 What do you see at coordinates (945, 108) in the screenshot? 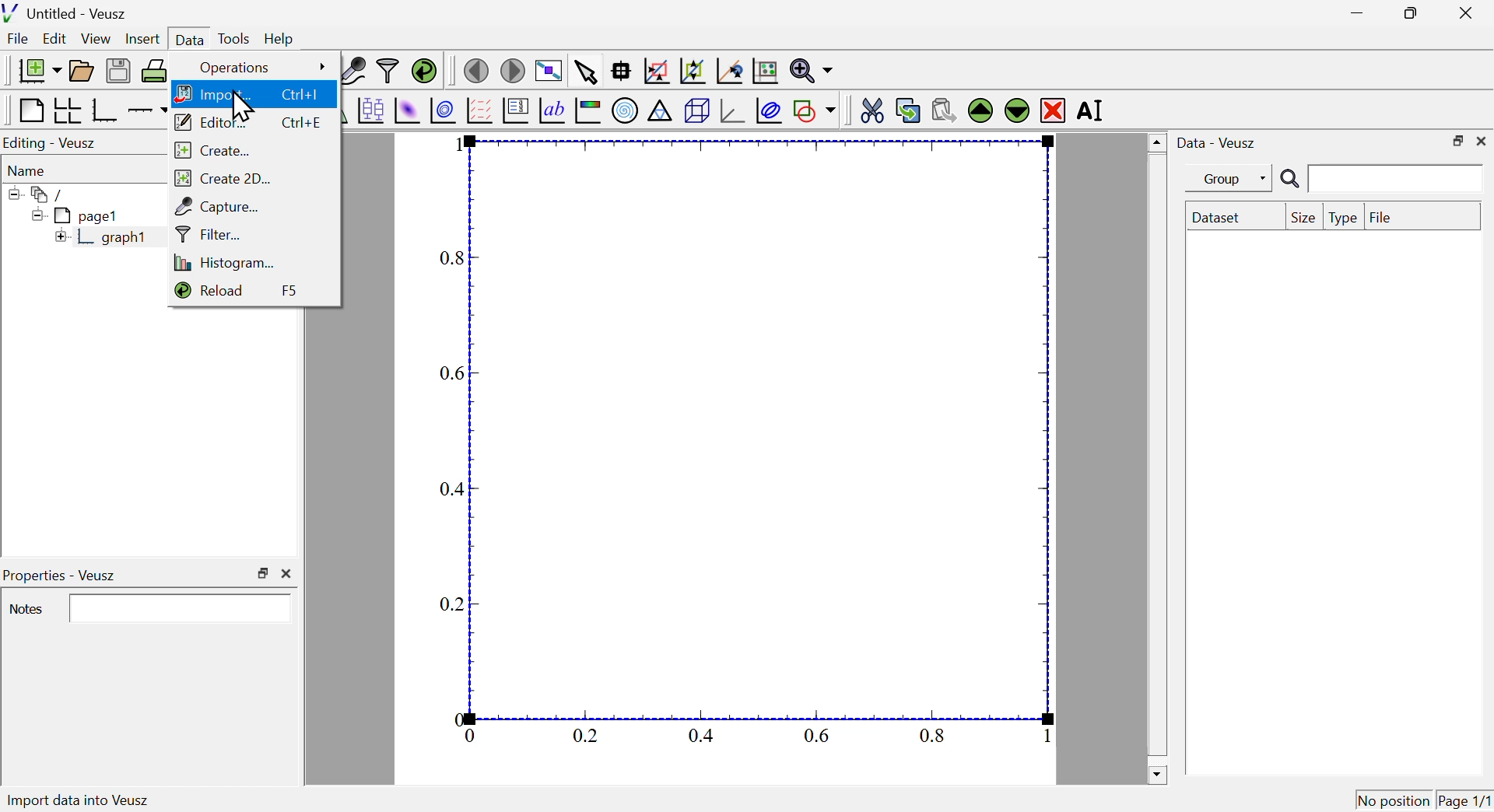
I see `paste widget from the clipboard` at bounding box center [945, 108].